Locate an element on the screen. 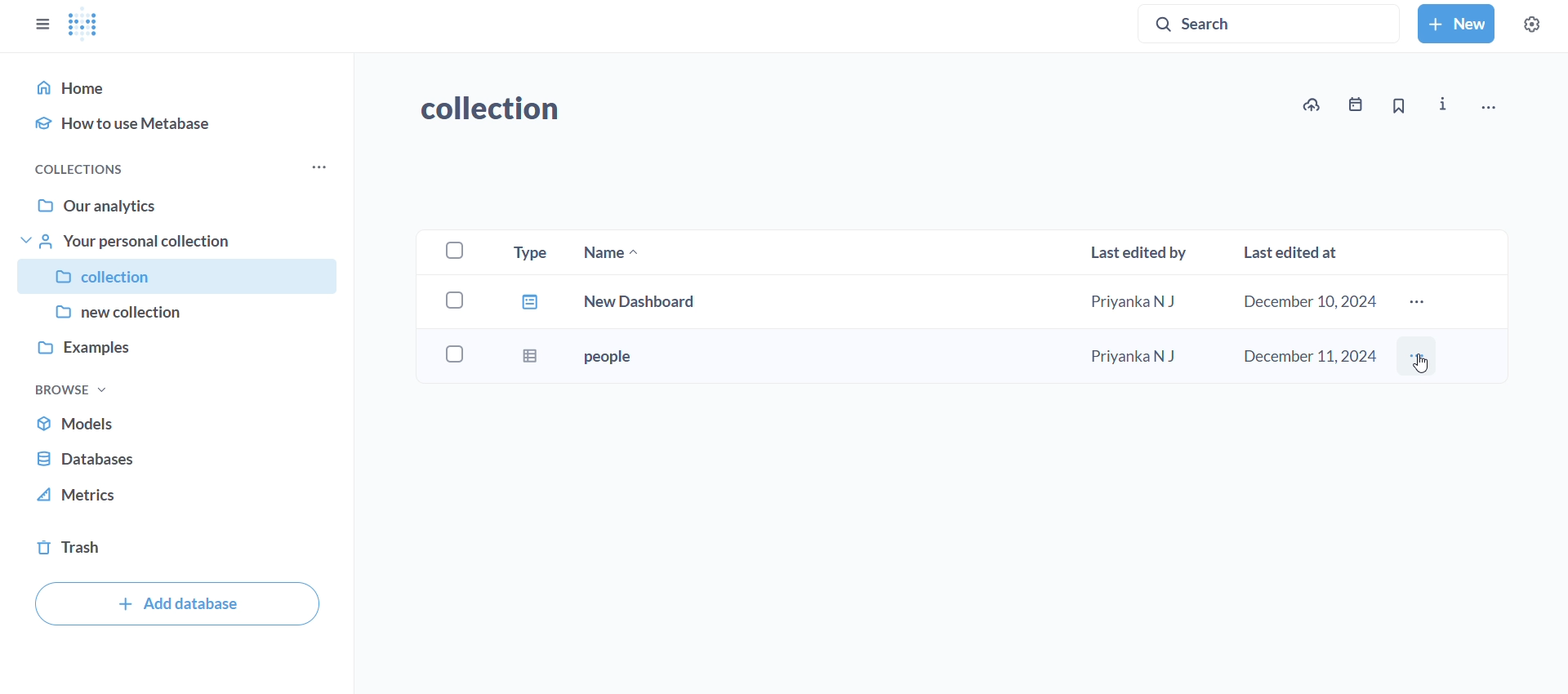  upload vto collection is located at coordinates (1311, 105).